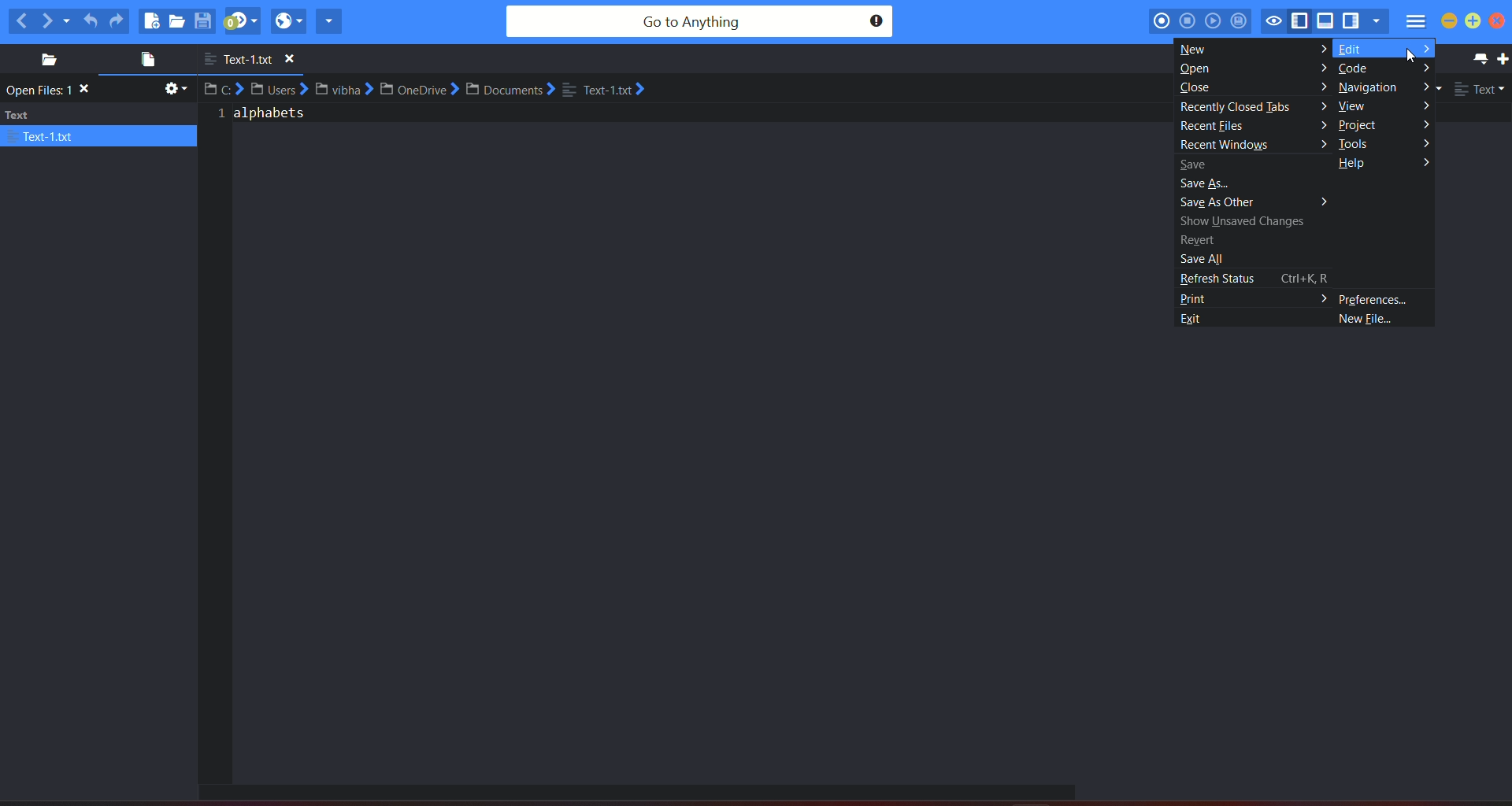 The width and height of the screenshot is (1512, 806). Describe the element at coordinates (1254, 298) in the screenshot. I see `Print` at that location.